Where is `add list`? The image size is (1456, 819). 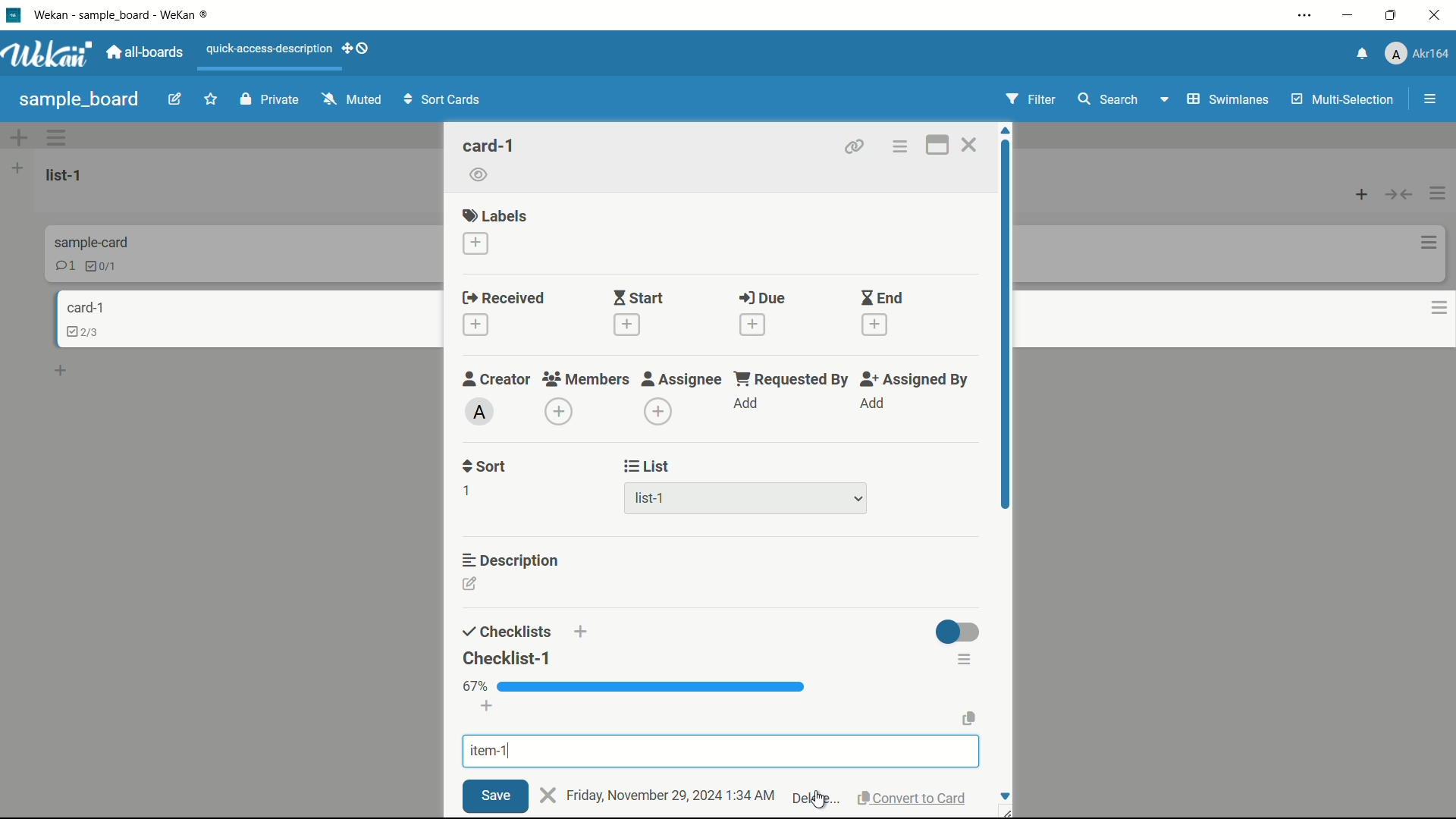
add list is located at coordinates (17, 168).